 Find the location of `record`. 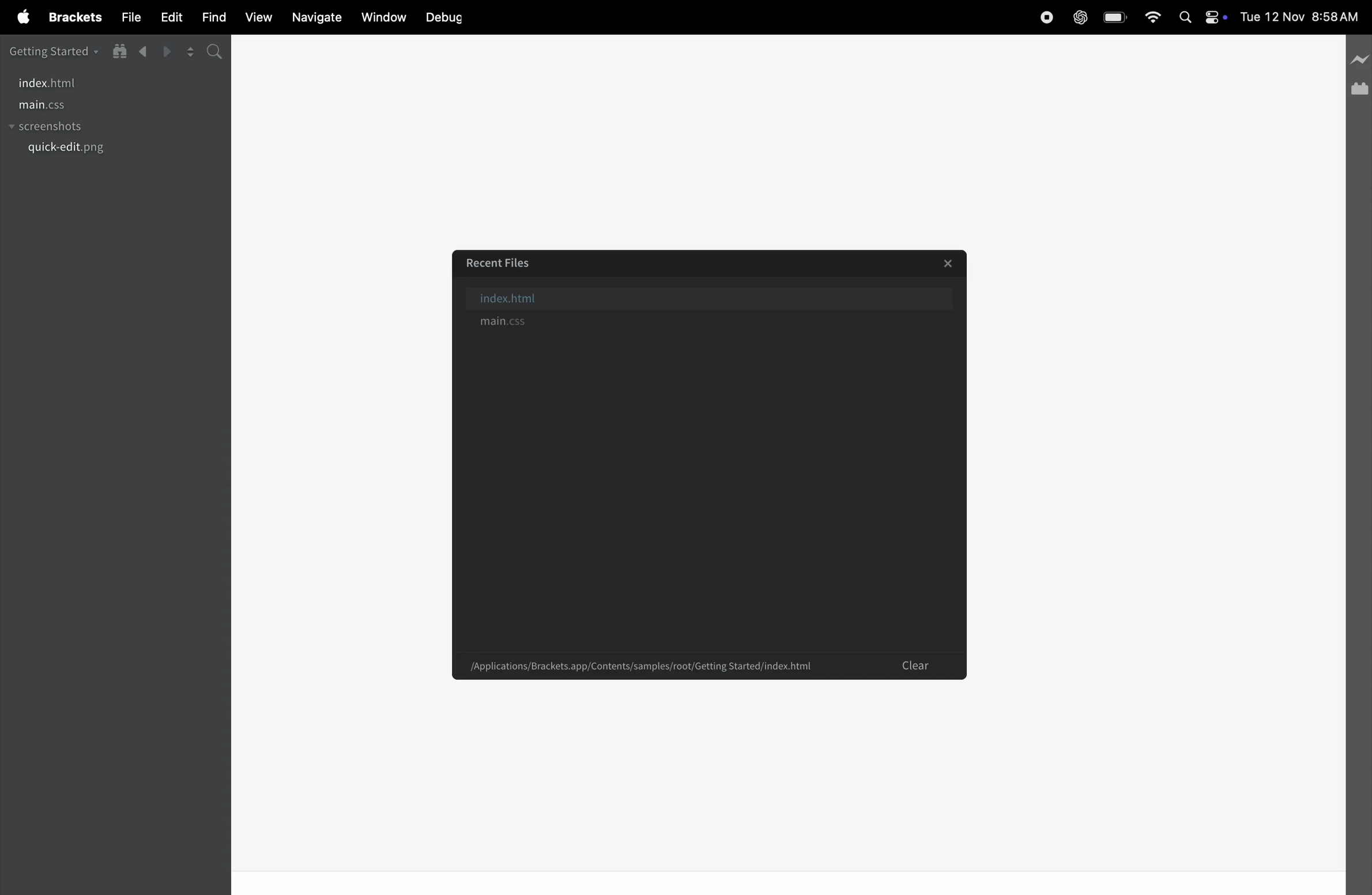

record is located at coordinates (1042, 18).